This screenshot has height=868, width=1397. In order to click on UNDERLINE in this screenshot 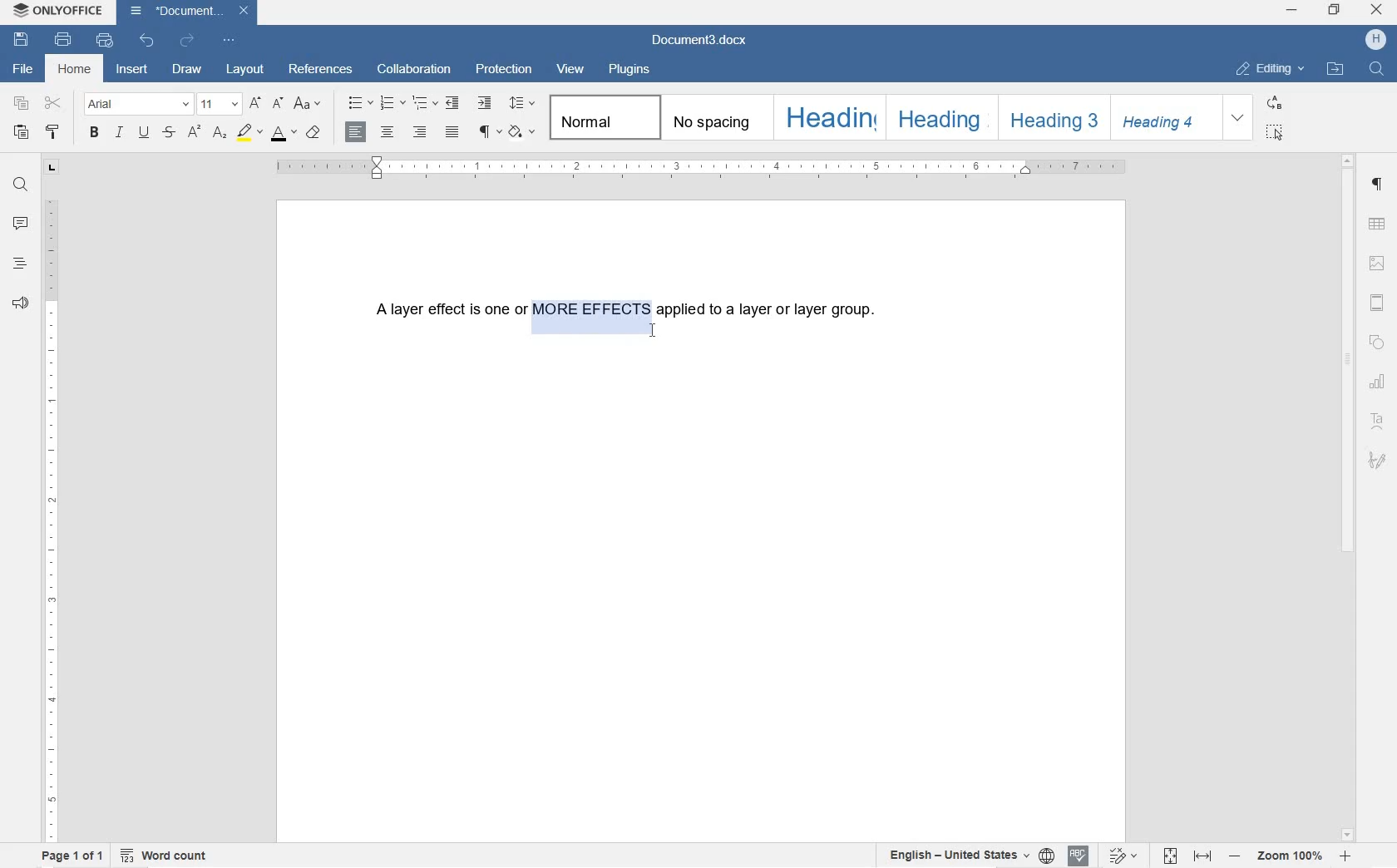, I will do `click(144, 133)`.